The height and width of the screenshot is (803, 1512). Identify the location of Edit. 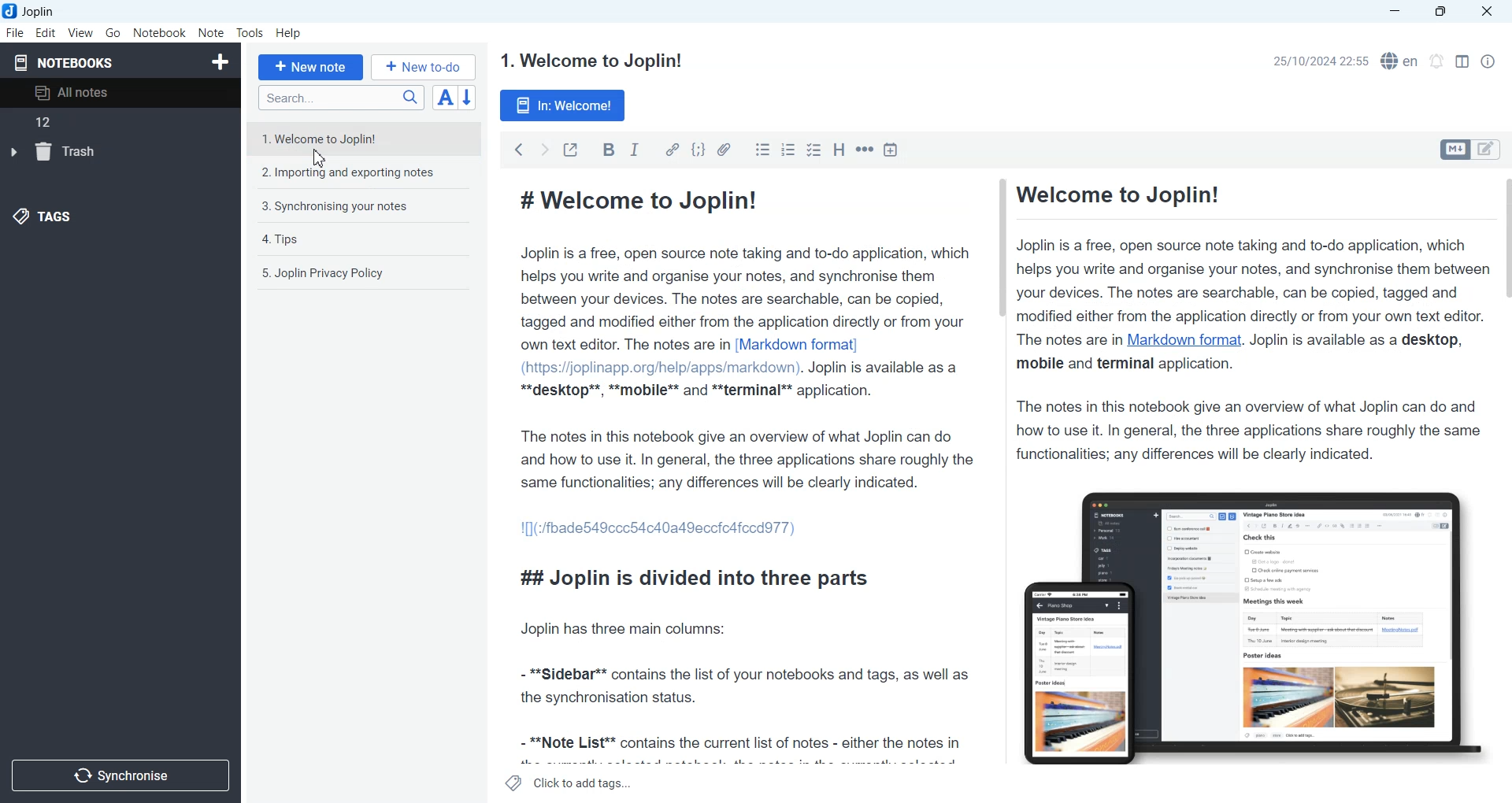
(46, 32).